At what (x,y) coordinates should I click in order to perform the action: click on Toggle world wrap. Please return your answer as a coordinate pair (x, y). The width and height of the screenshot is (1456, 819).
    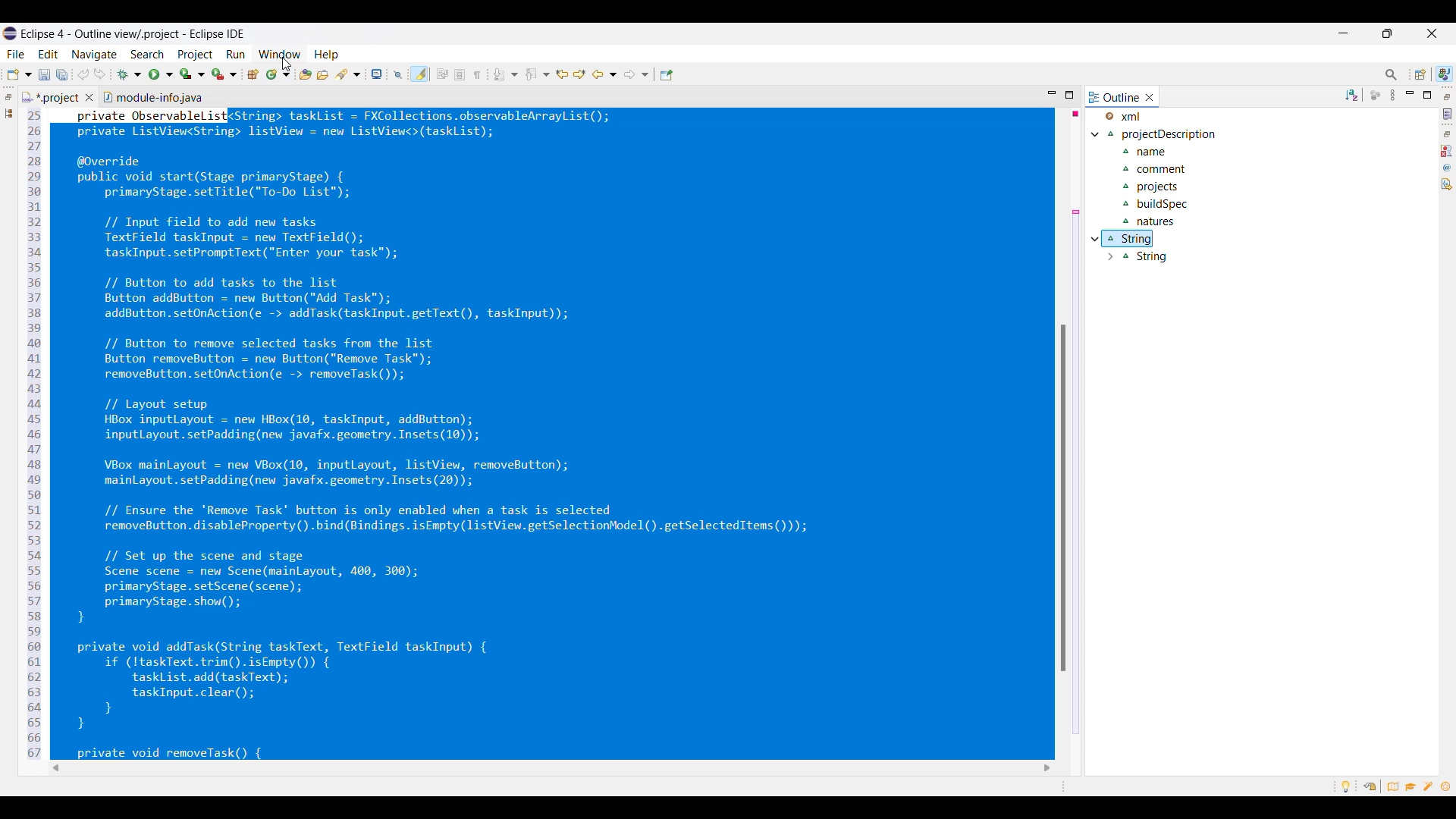
    Looking at the image, I should click on (442, 74).